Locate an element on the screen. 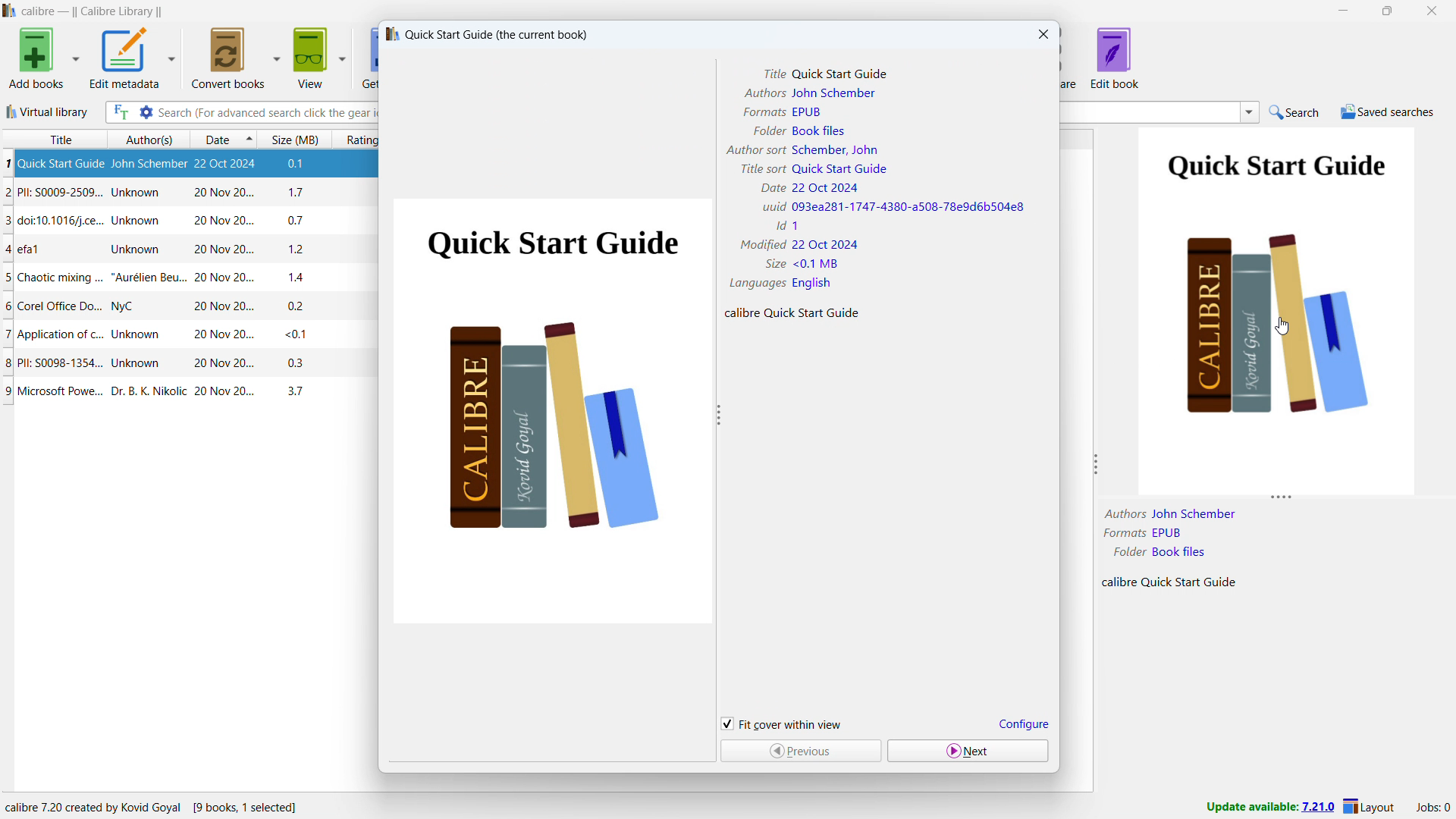  doi:10.1016/j.ce... is located at coordinates (54, 221).